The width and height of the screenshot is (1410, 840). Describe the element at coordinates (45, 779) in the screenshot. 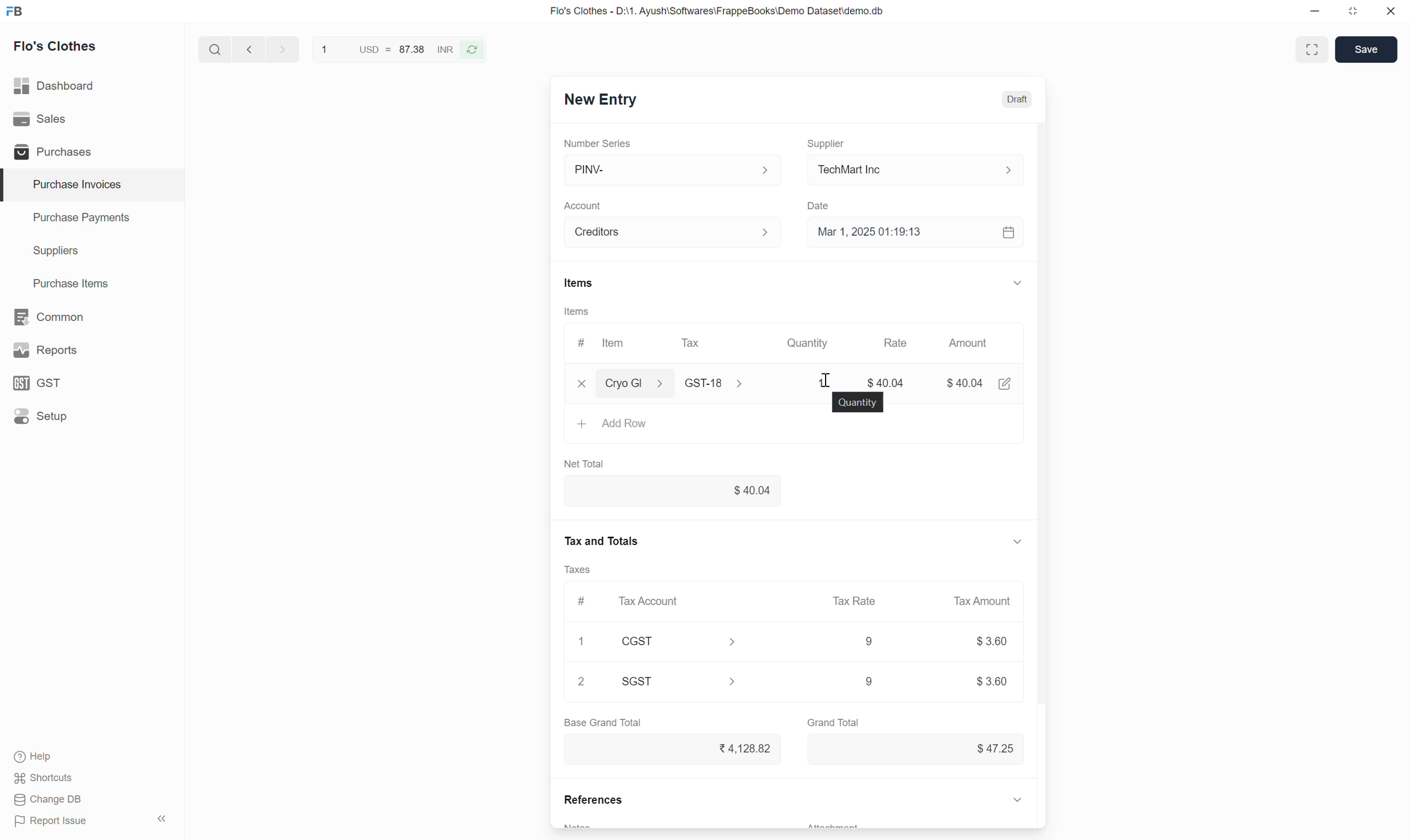

I see `Shortcuts` at that location.